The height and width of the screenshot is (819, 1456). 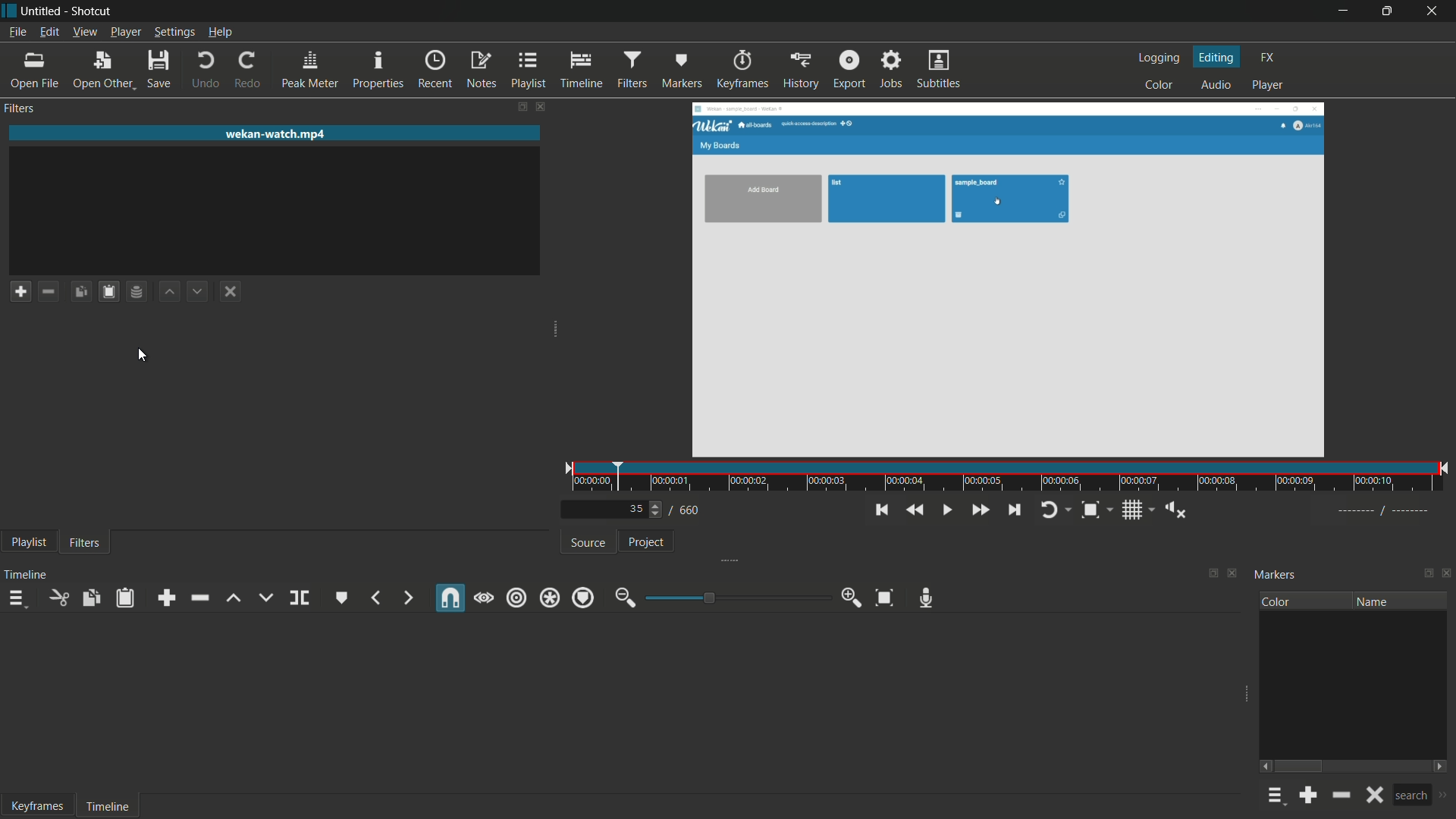 What do you see at coordinates (1159, 86) in the screenshot?
I see `color` at bounding box center [1159, 86].